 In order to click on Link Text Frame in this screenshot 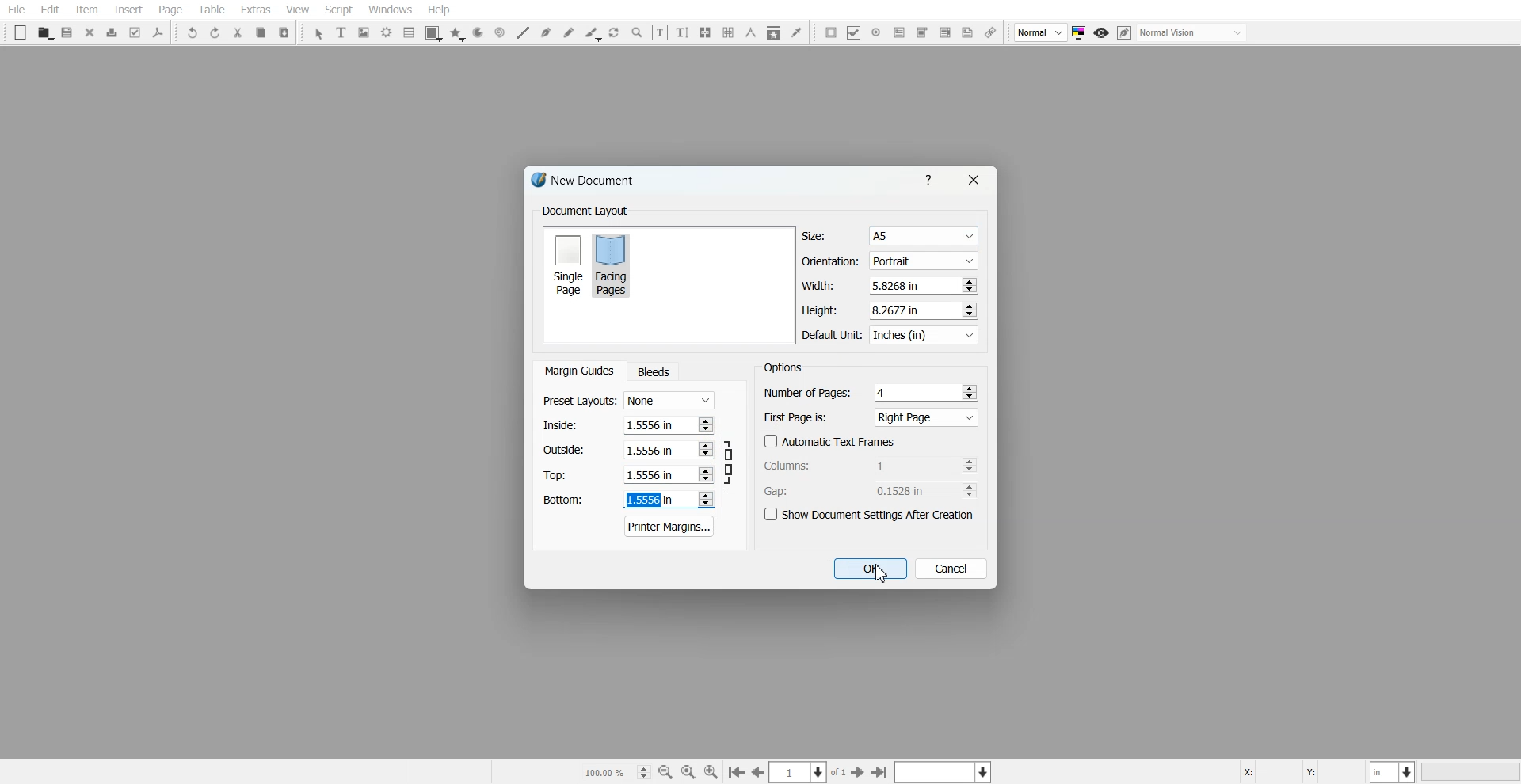, I will do `click(705, 32)`.